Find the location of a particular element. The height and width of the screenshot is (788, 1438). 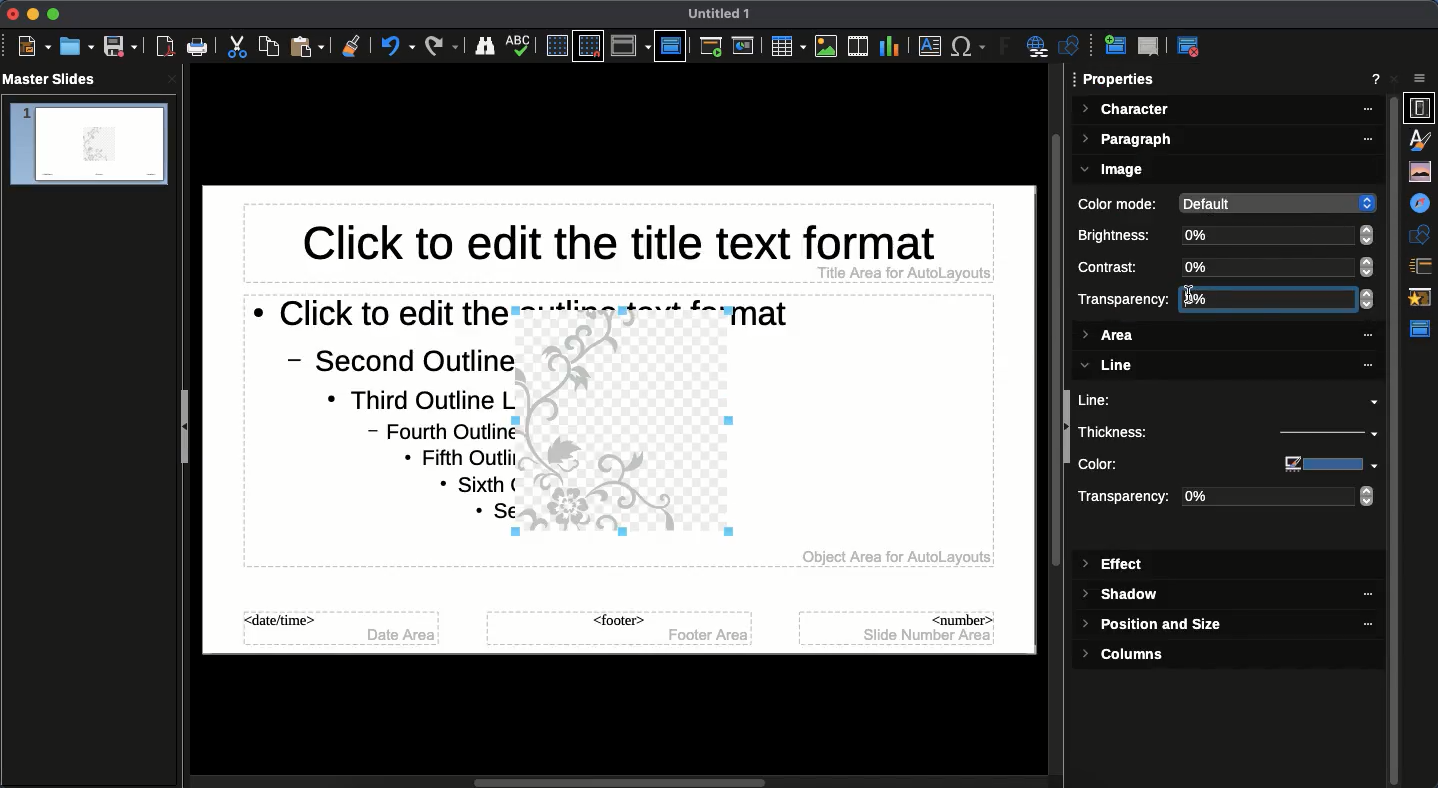

Textbox is located at coordinates (927, 47).